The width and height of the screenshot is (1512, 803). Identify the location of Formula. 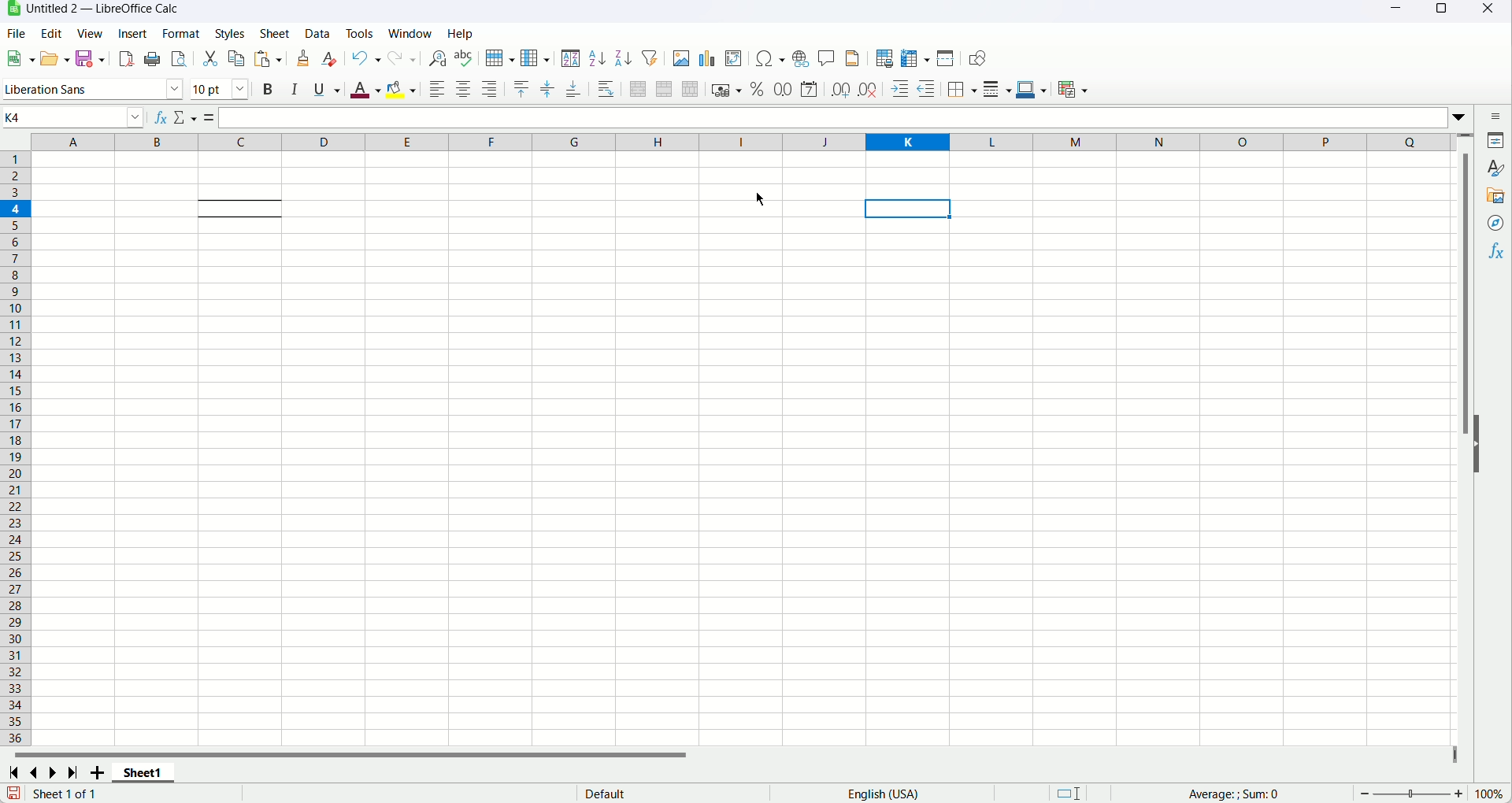
(1261, 794).